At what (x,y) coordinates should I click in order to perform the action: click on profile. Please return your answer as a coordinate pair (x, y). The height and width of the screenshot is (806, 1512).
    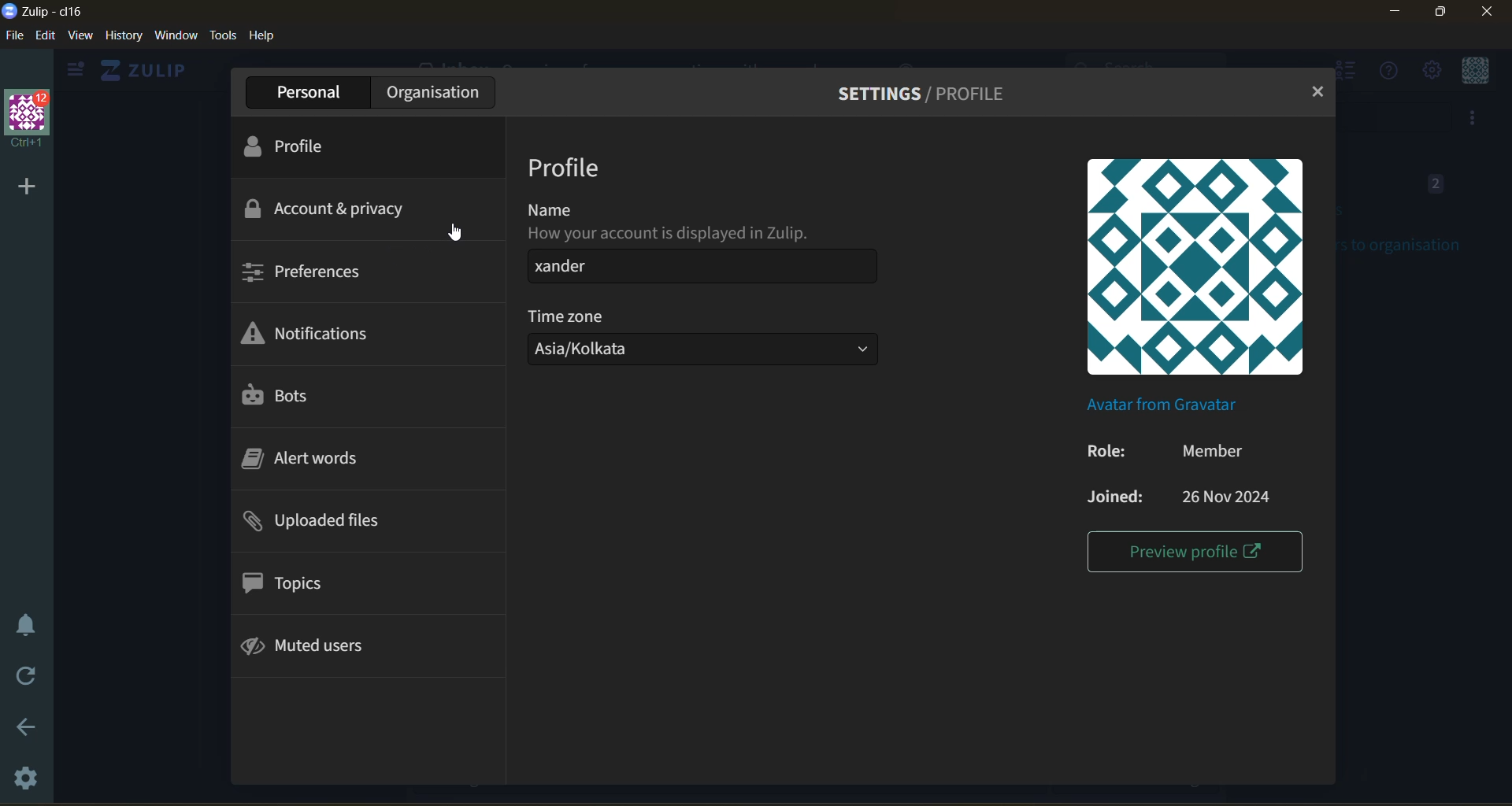
    Looking at the image, I should click on (292, 145).